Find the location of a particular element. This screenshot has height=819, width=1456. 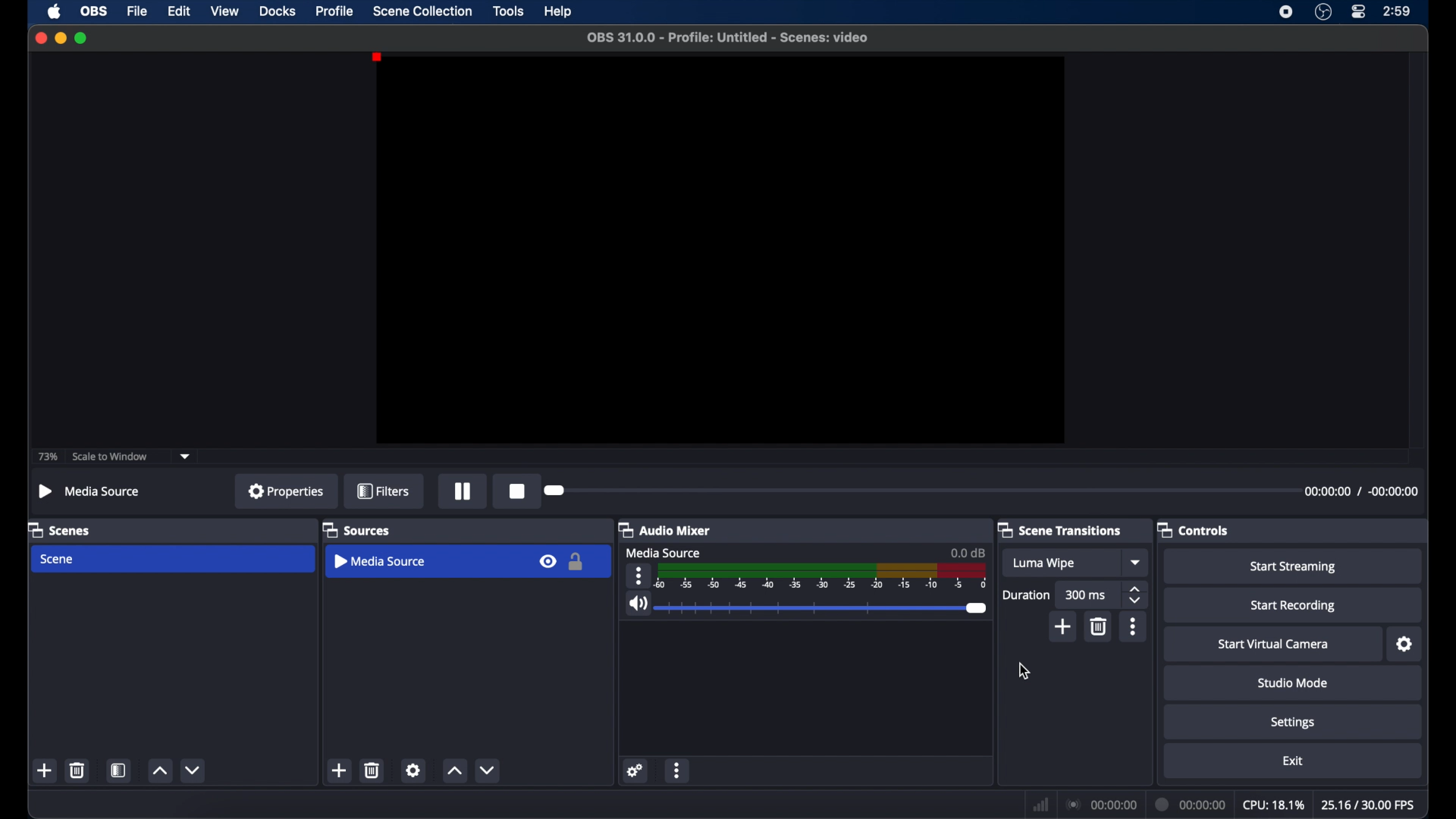

media source is located at coordinates (379, 561).